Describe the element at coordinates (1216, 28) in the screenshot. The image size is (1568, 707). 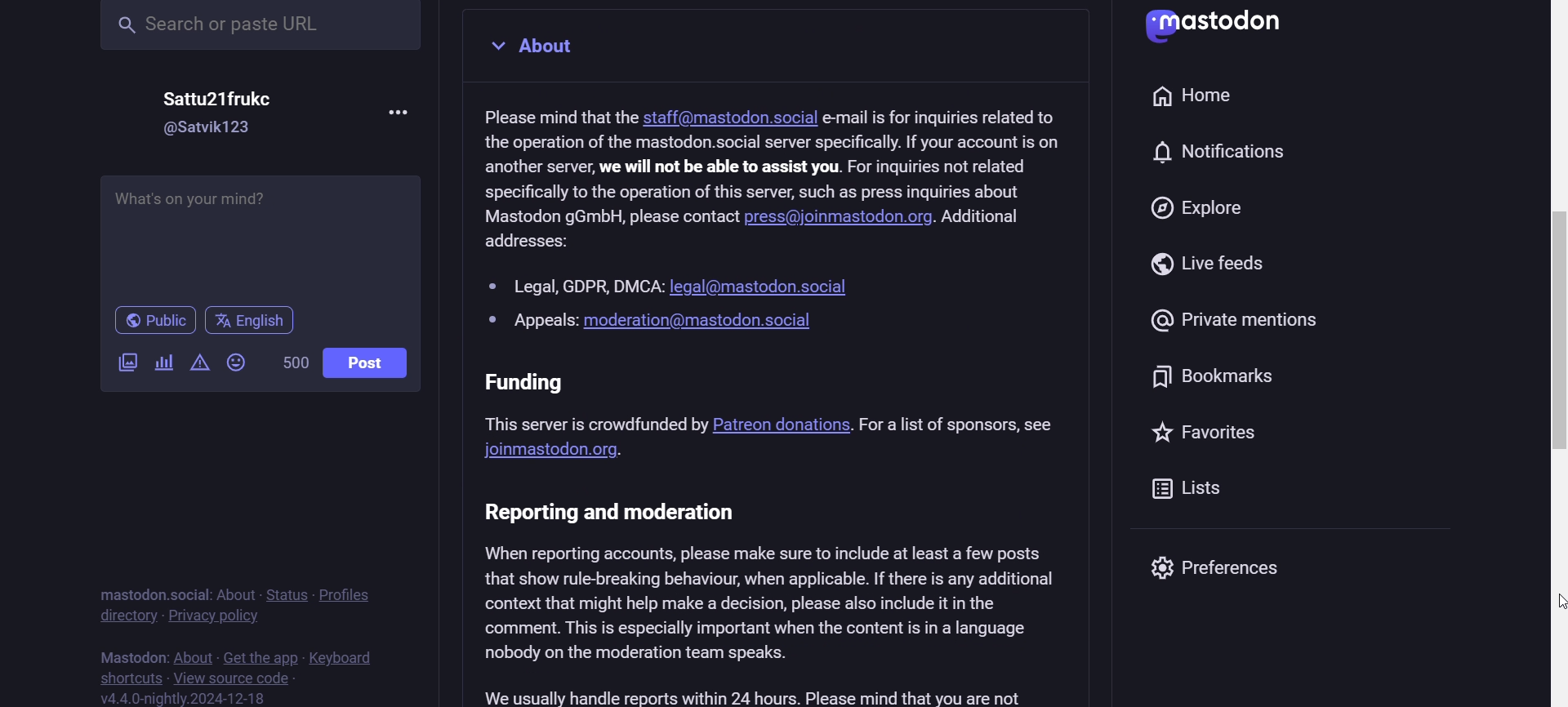
I see `Mastodon logo` at that location.